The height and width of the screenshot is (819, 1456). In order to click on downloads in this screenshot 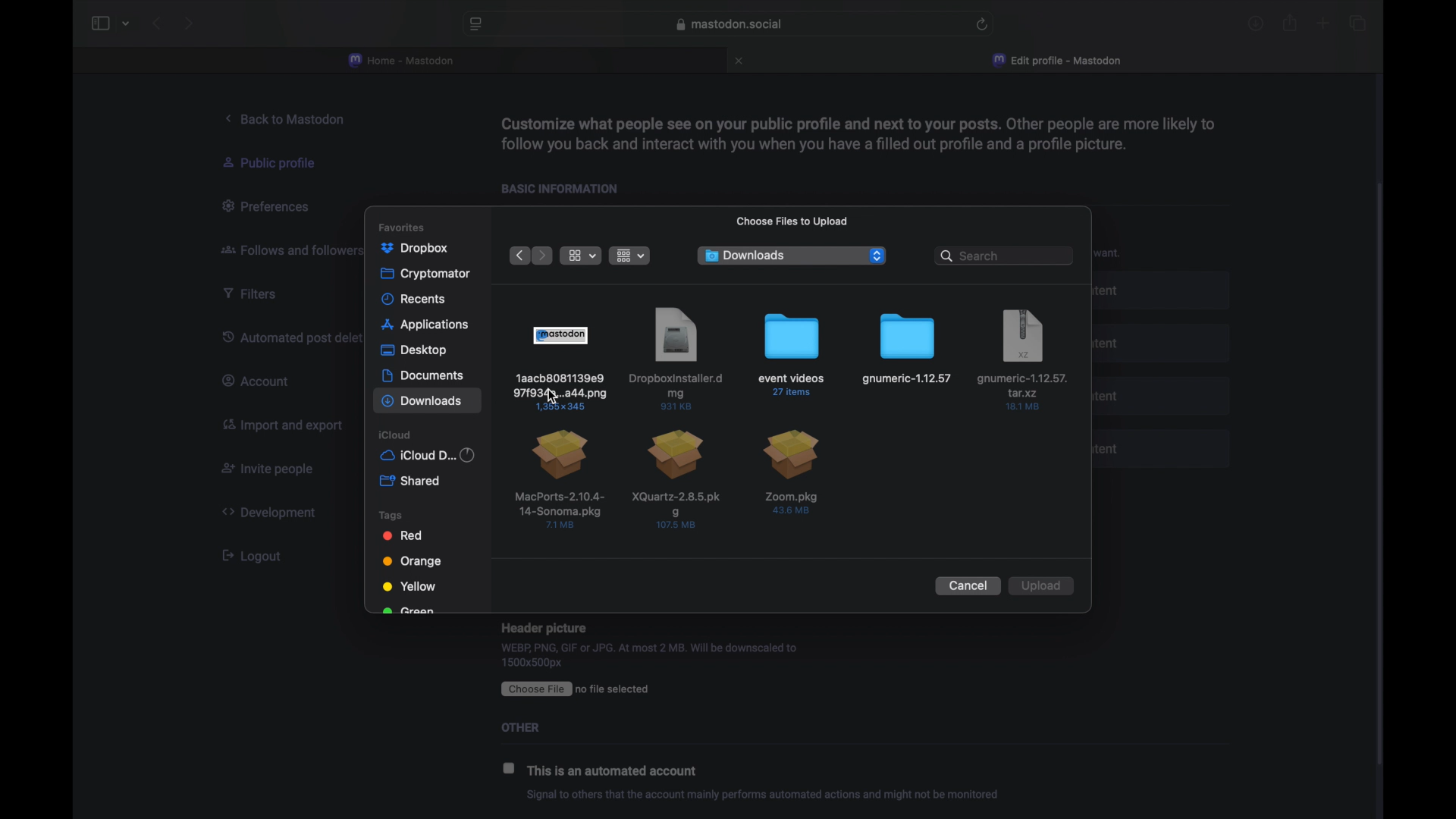, I will do `click(746, 255)`.